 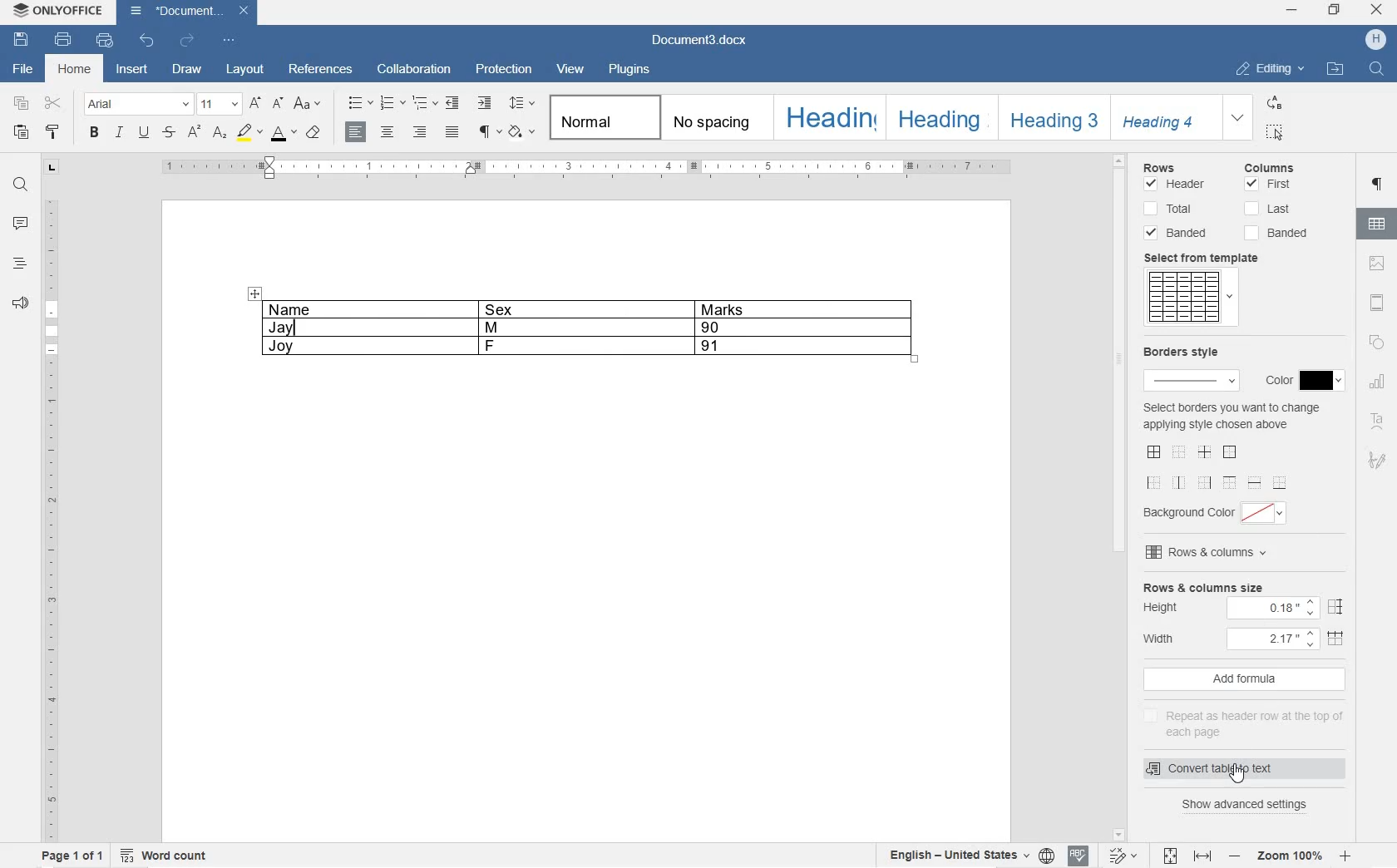 What do you see at coordinates (1230, 452) in the screenshot?
I see `set outer border only` at bounding box center [1230, 452].